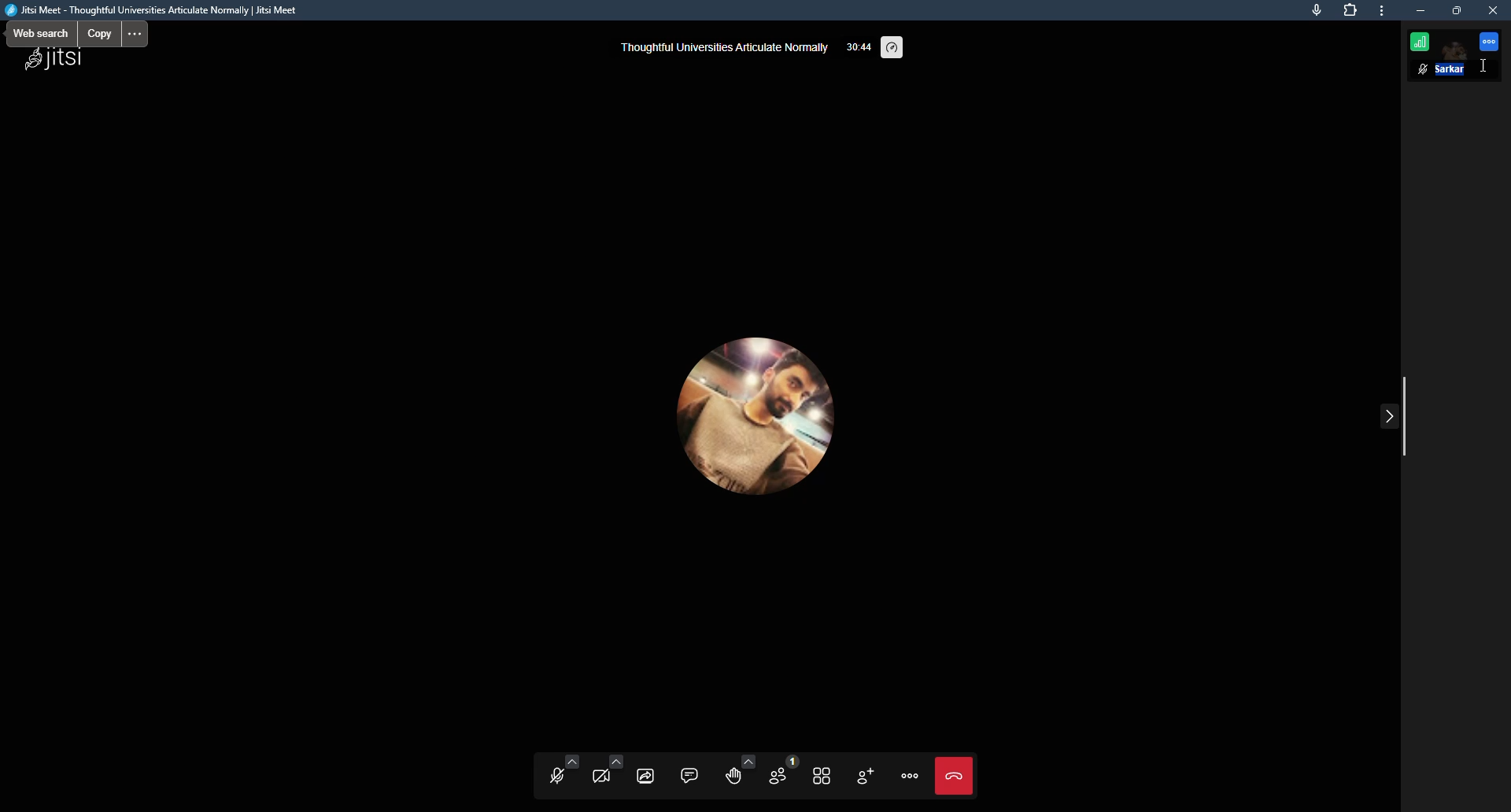  What do you see at coordinates (866, 776) in the screenshot?
I see `invite people` at bounding box center [866, 776].